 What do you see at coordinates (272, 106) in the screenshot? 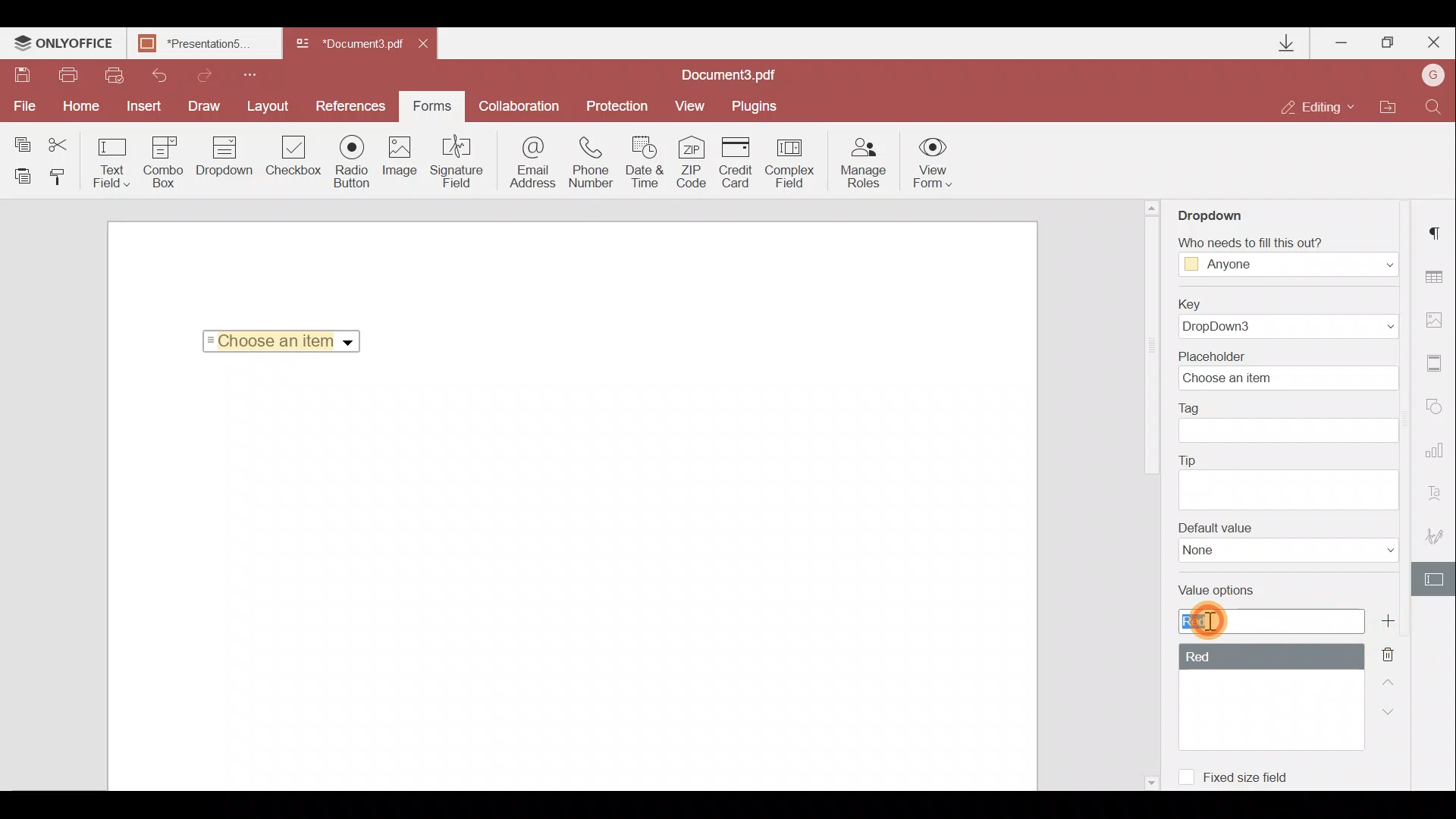
I see `Layout` at bounding box center [272, 106].